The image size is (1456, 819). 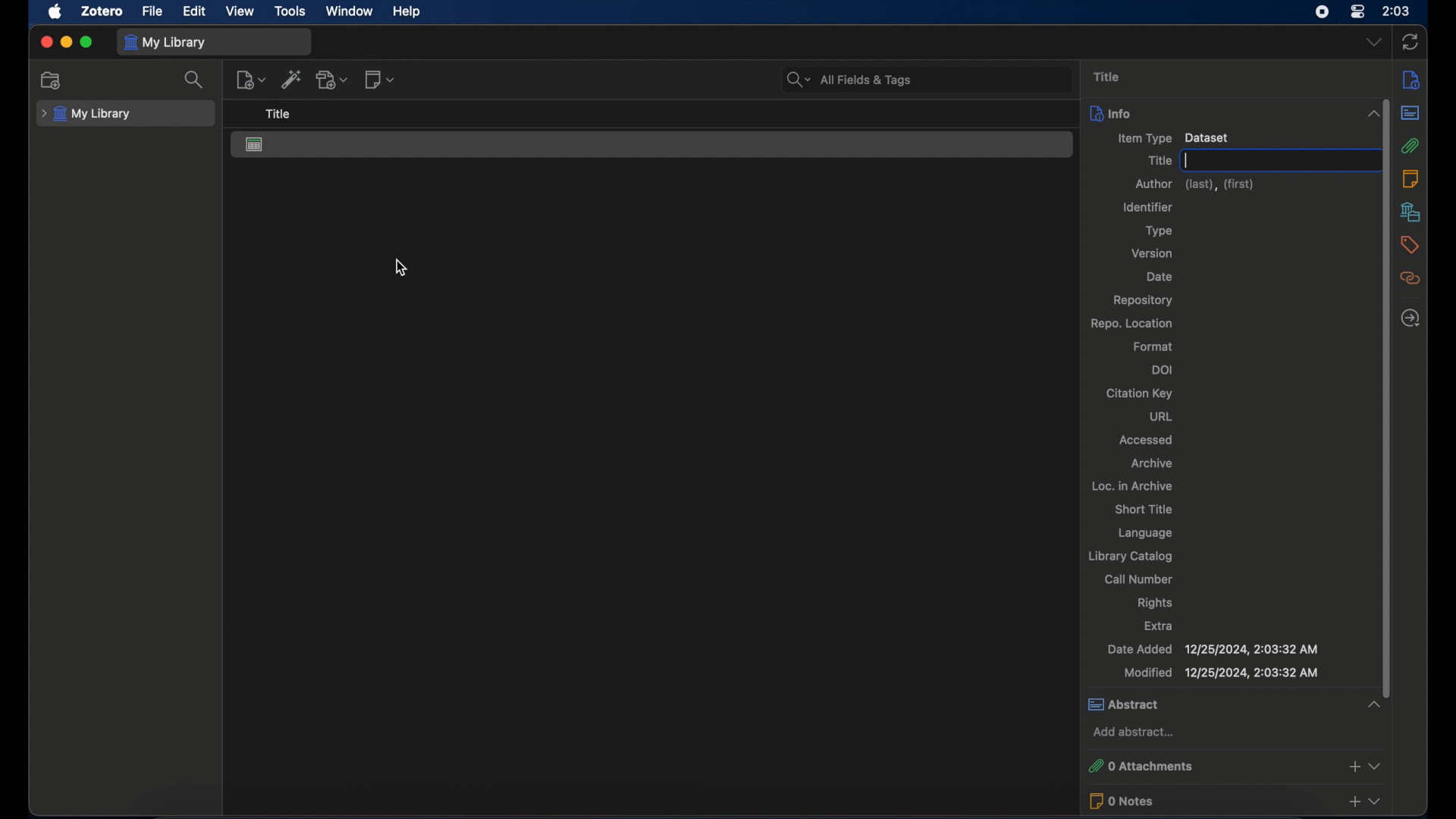 What do you see at coordinates (1156, 603) in the screenshot?
I see `rights` at bounding box center [1156, 603].